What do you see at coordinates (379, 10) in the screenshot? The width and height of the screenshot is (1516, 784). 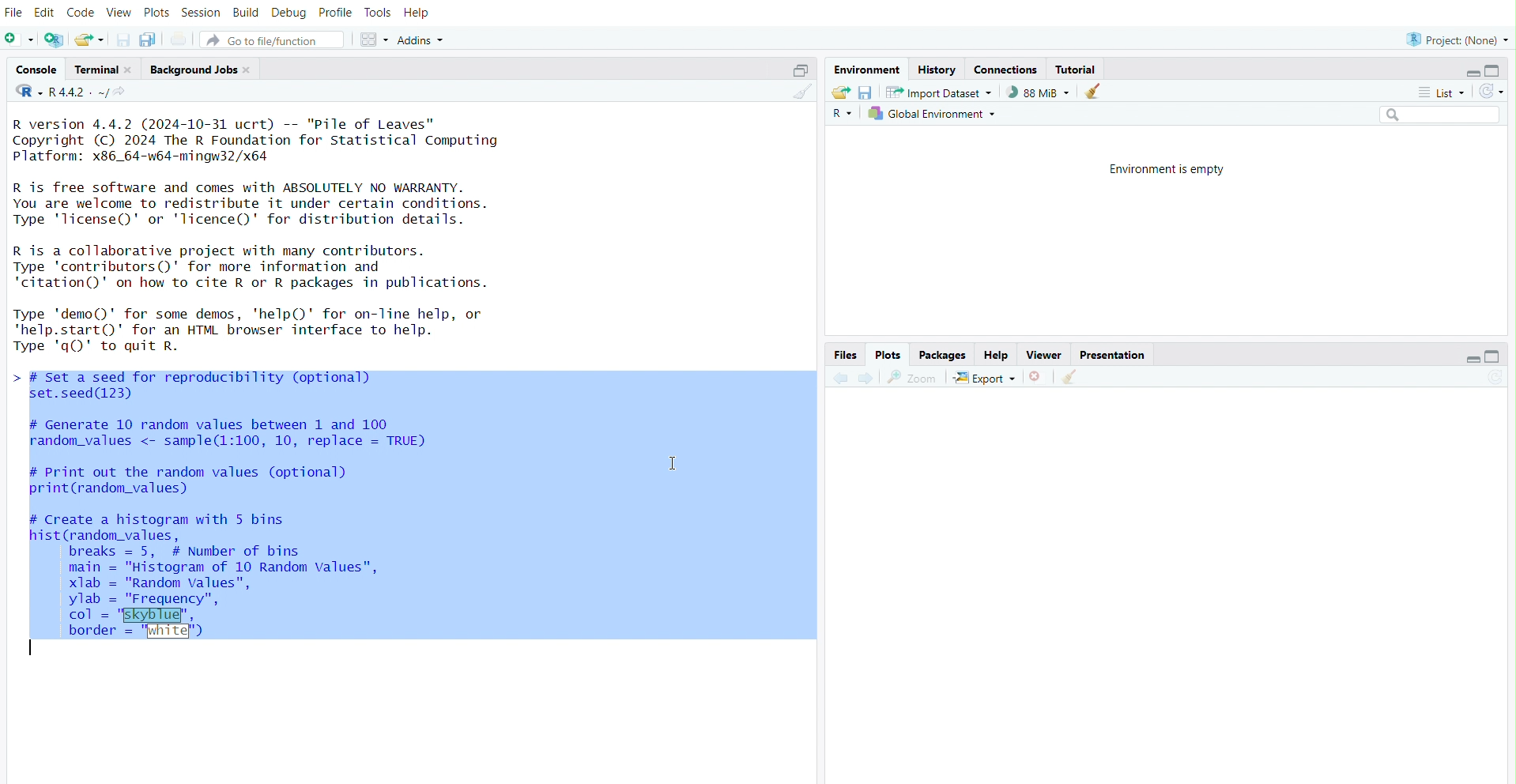 I see `tools` at bounding box center [379, 10].